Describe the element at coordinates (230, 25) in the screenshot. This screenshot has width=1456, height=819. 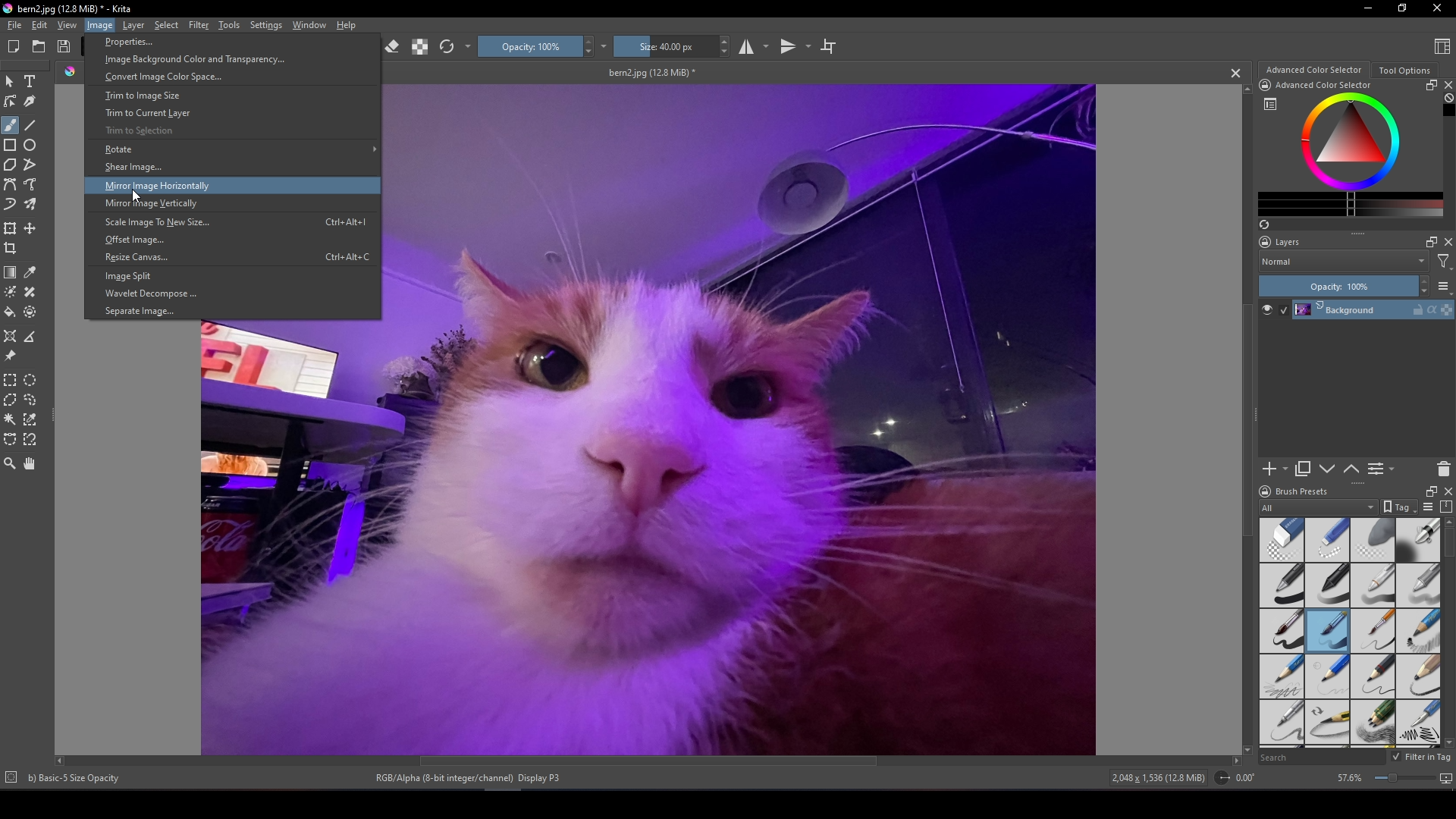
I see `Tools` at that location.